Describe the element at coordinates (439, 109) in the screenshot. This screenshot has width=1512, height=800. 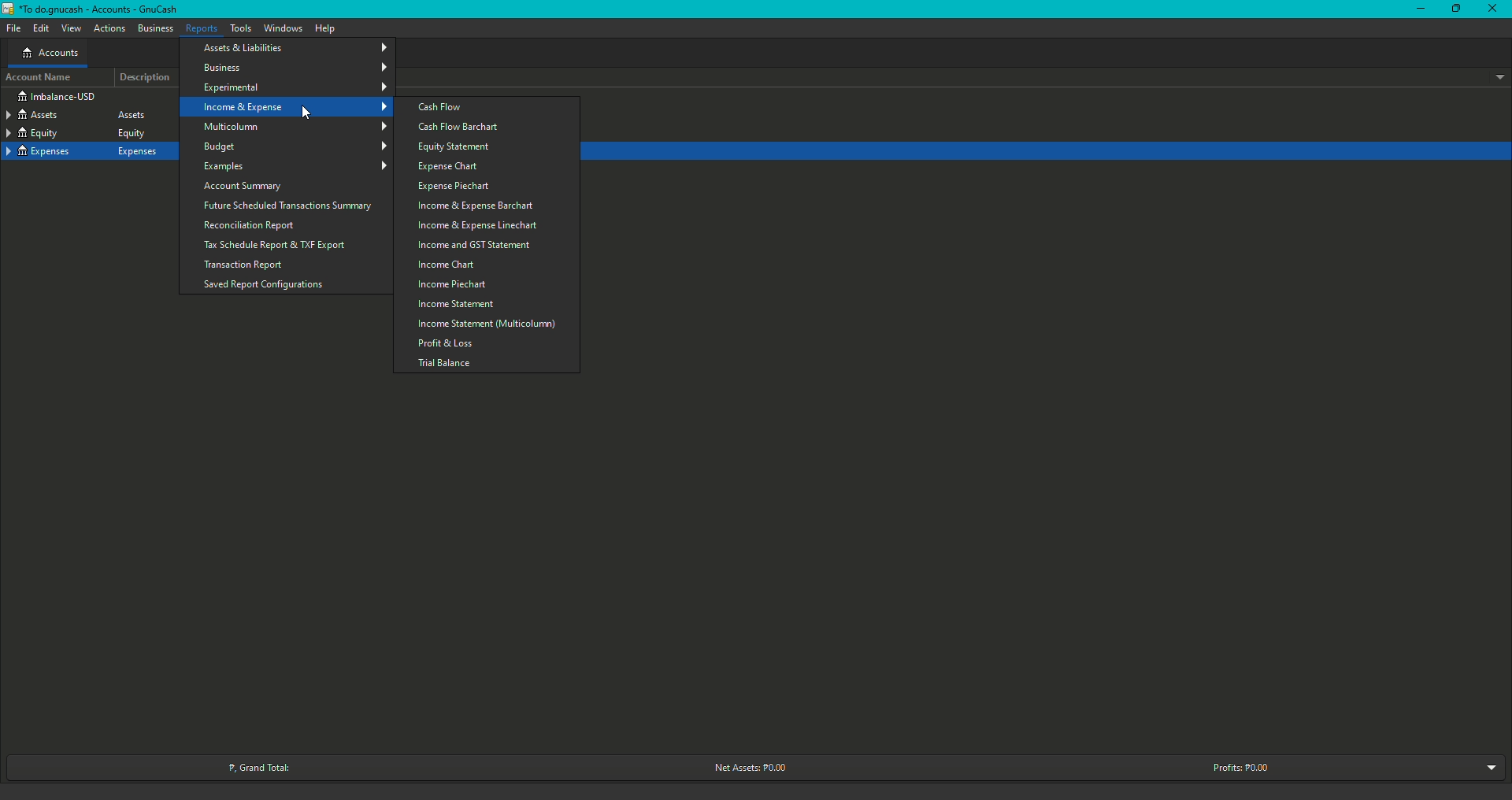
I see `Cash Flow` at that location.